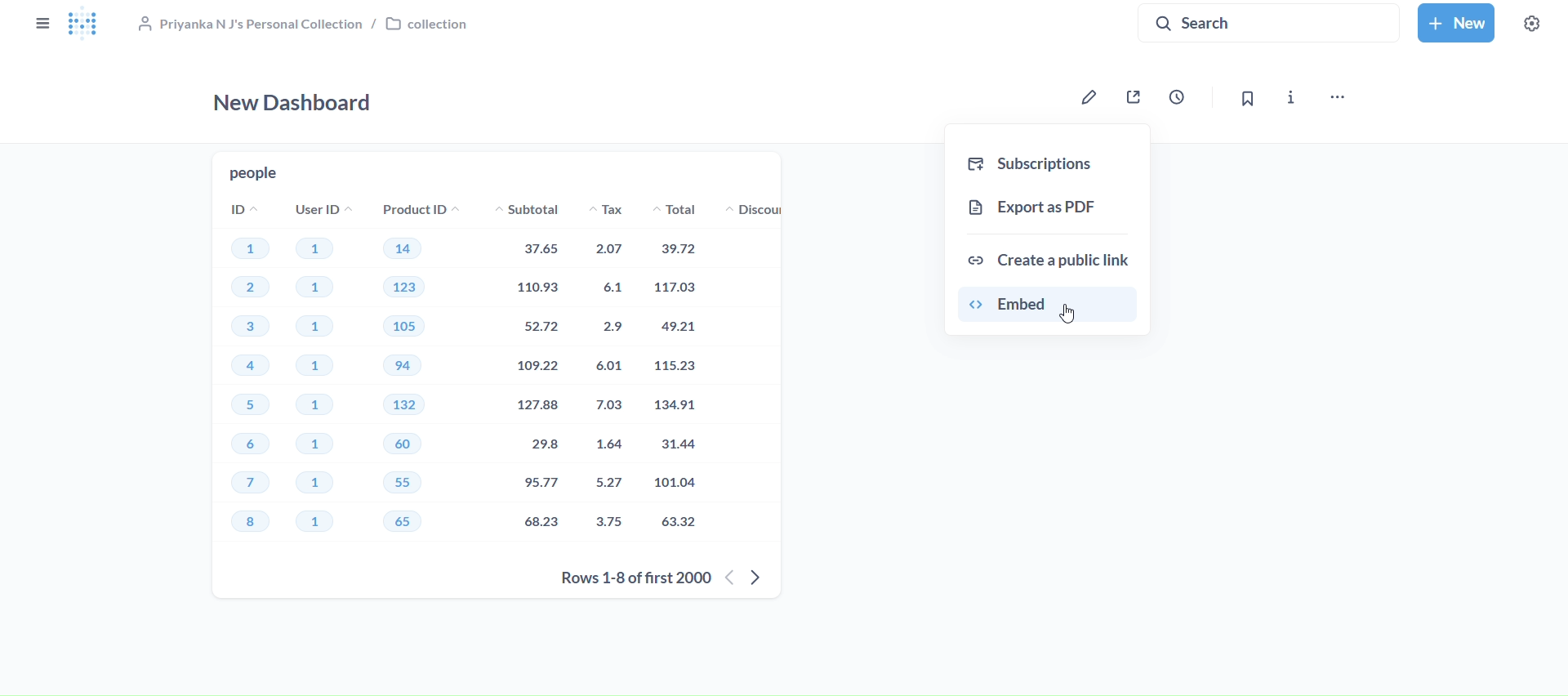  Describe the element at coordinates (759, 580) in the screenshot. I see `next` at that location.